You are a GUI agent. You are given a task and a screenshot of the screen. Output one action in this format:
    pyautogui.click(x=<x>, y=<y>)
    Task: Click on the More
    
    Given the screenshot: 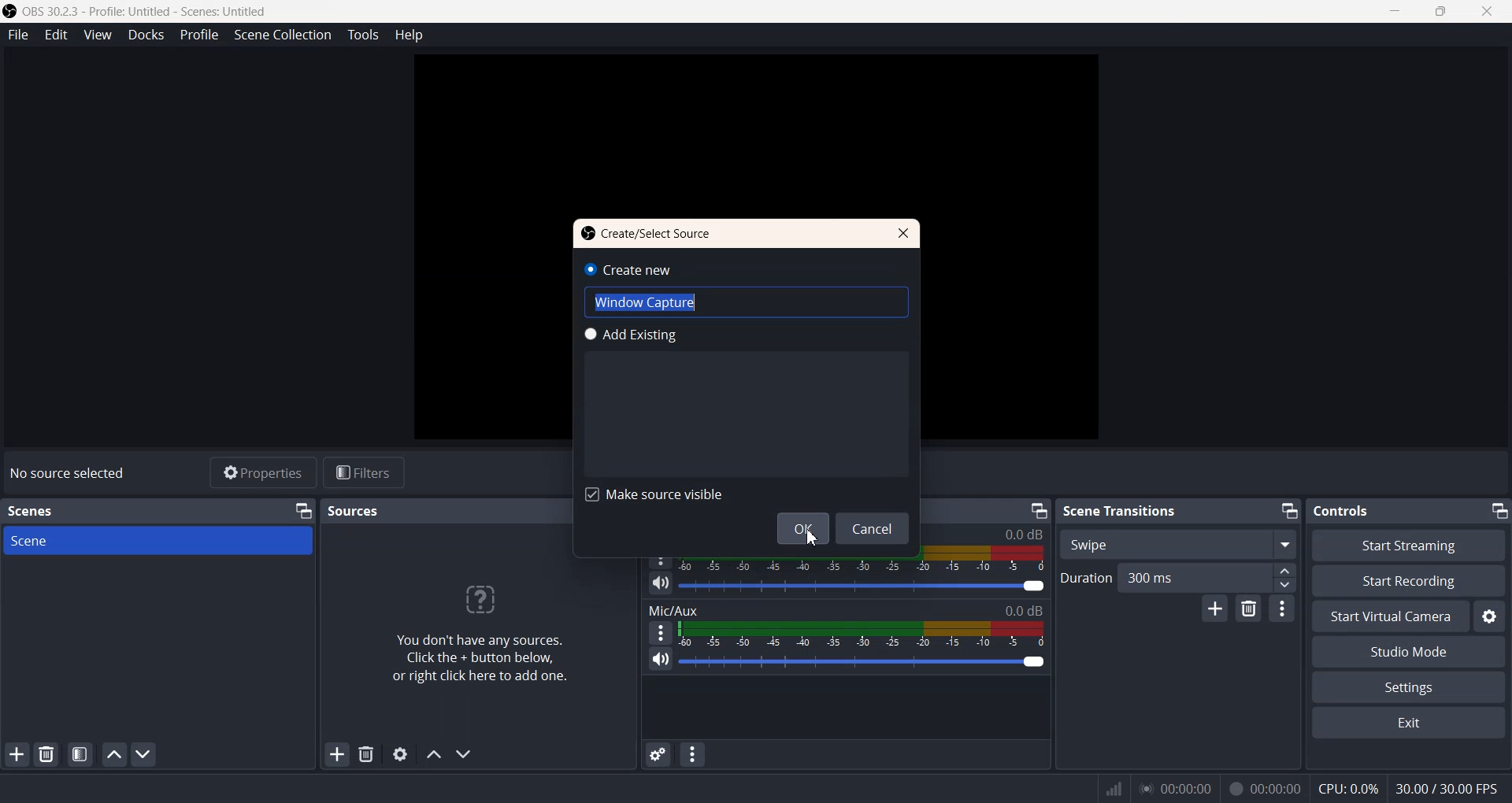 What is the action you would take?
    pyautogui.click(x=1283, y=607)
    